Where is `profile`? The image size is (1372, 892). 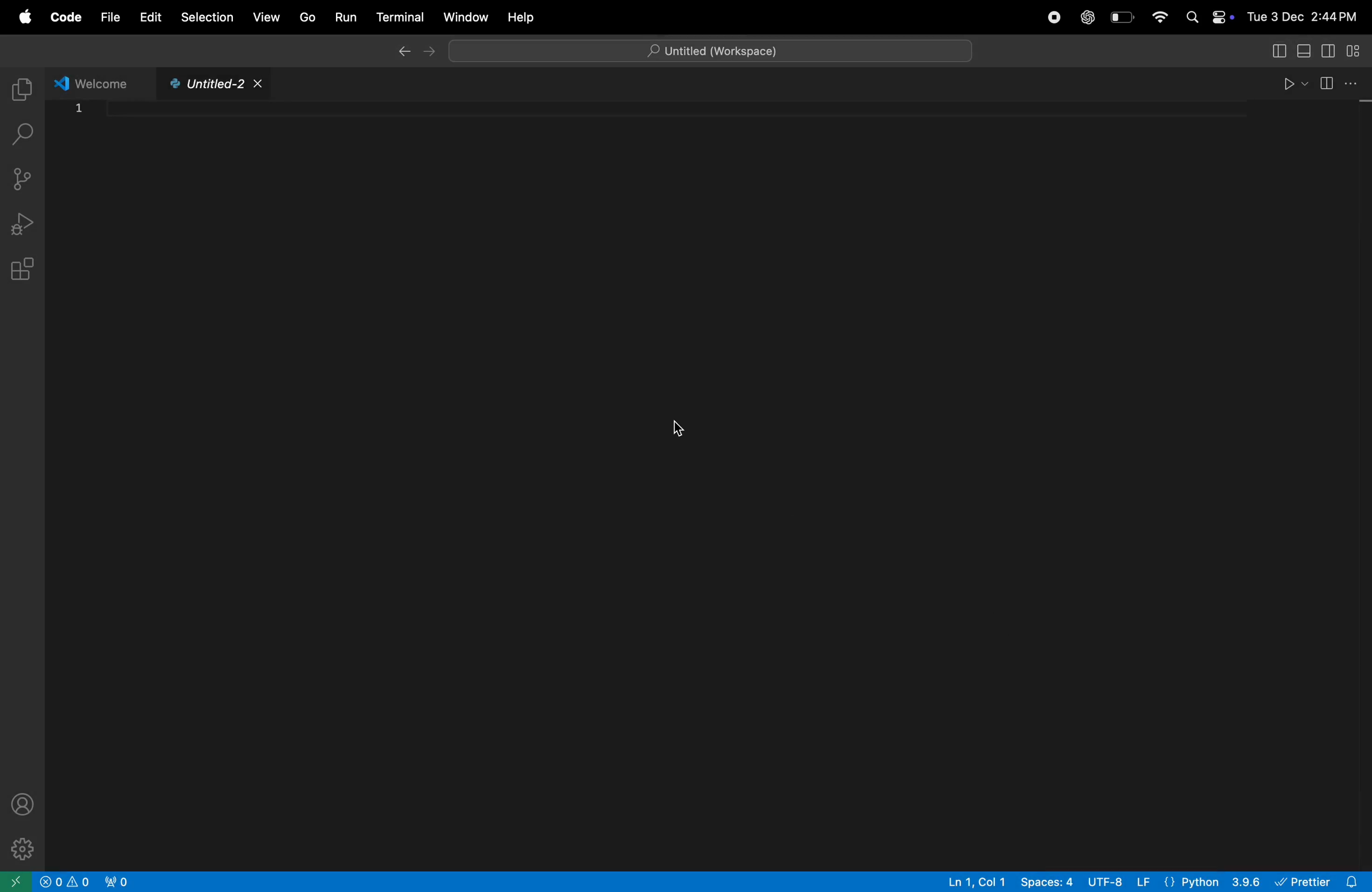 profile is located at coordinates (23, 802).